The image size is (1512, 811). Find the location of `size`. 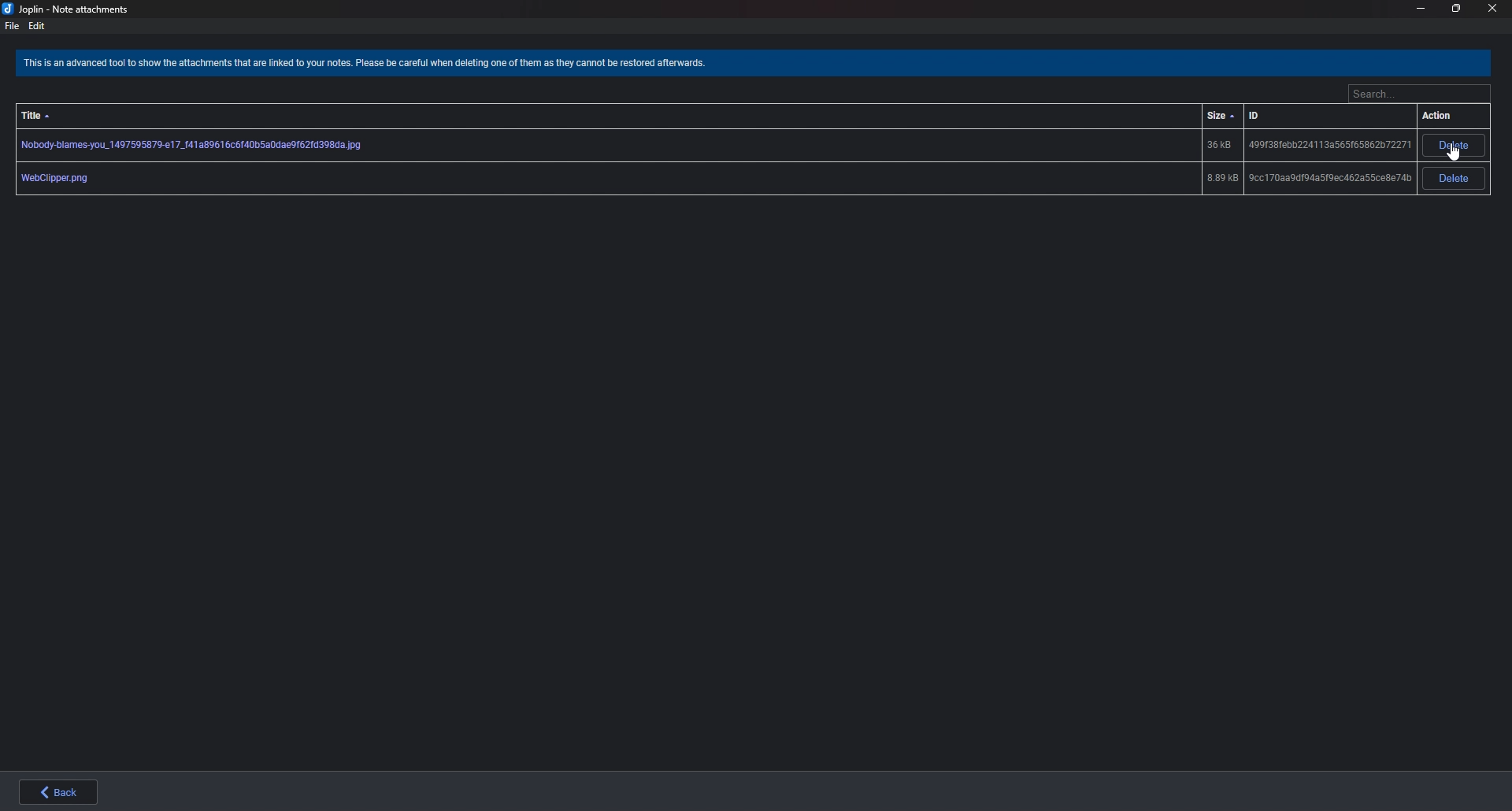

size is located at coordinates (1221, 116).